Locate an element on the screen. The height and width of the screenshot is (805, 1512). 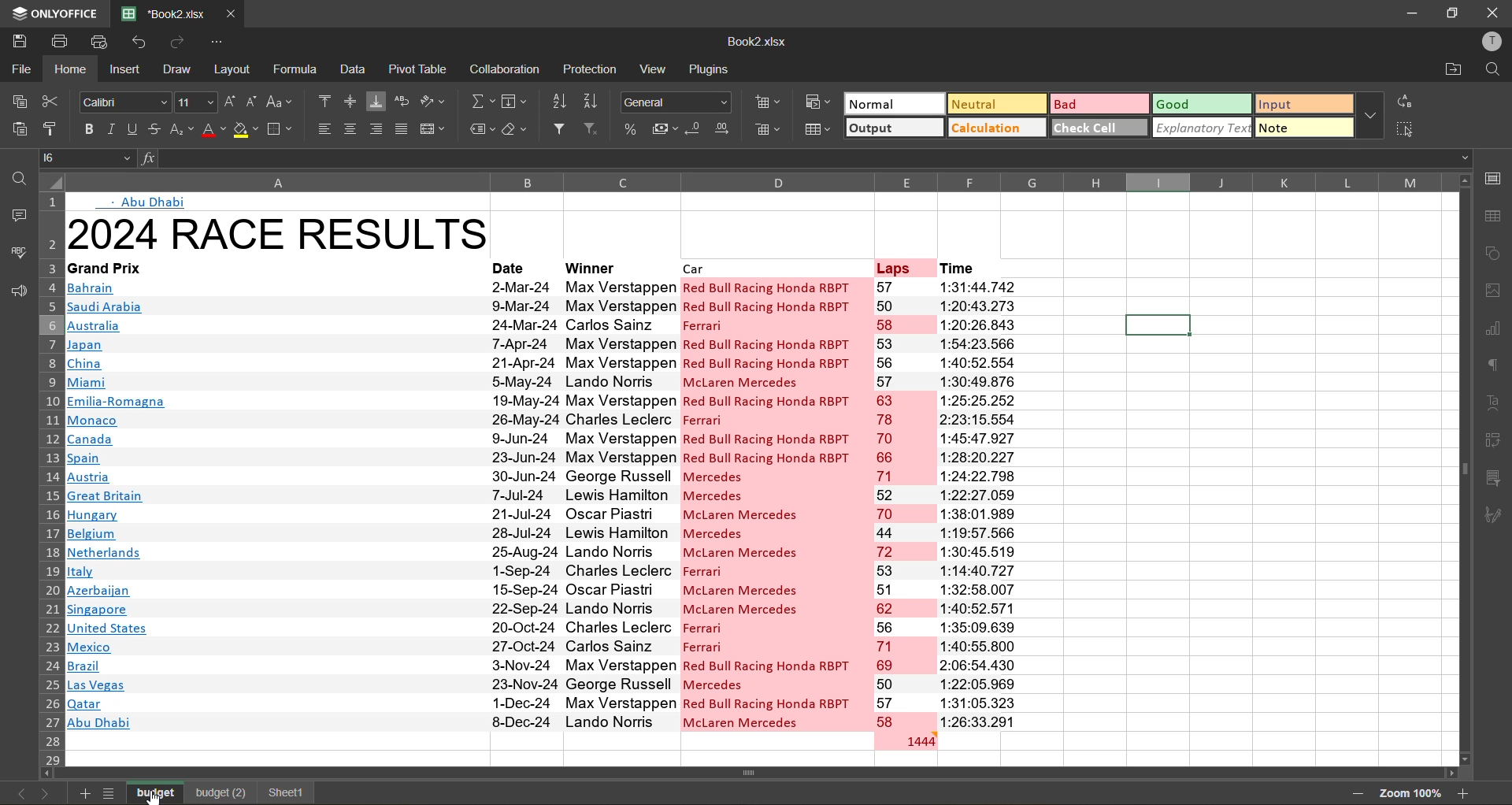
data is located at coordinates (354, 70).